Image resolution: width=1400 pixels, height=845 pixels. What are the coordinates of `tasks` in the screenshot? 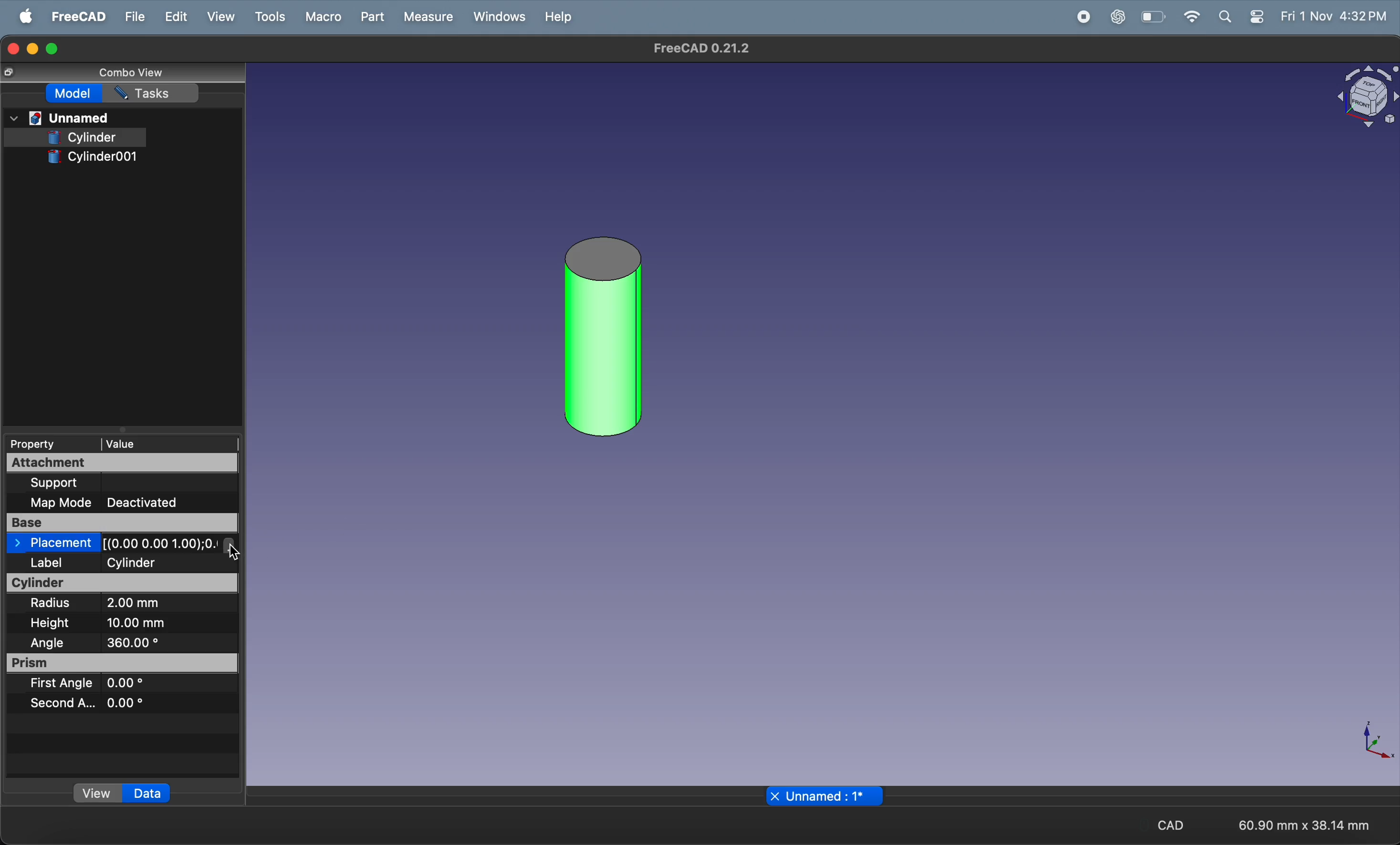 It's located at (153, 93).